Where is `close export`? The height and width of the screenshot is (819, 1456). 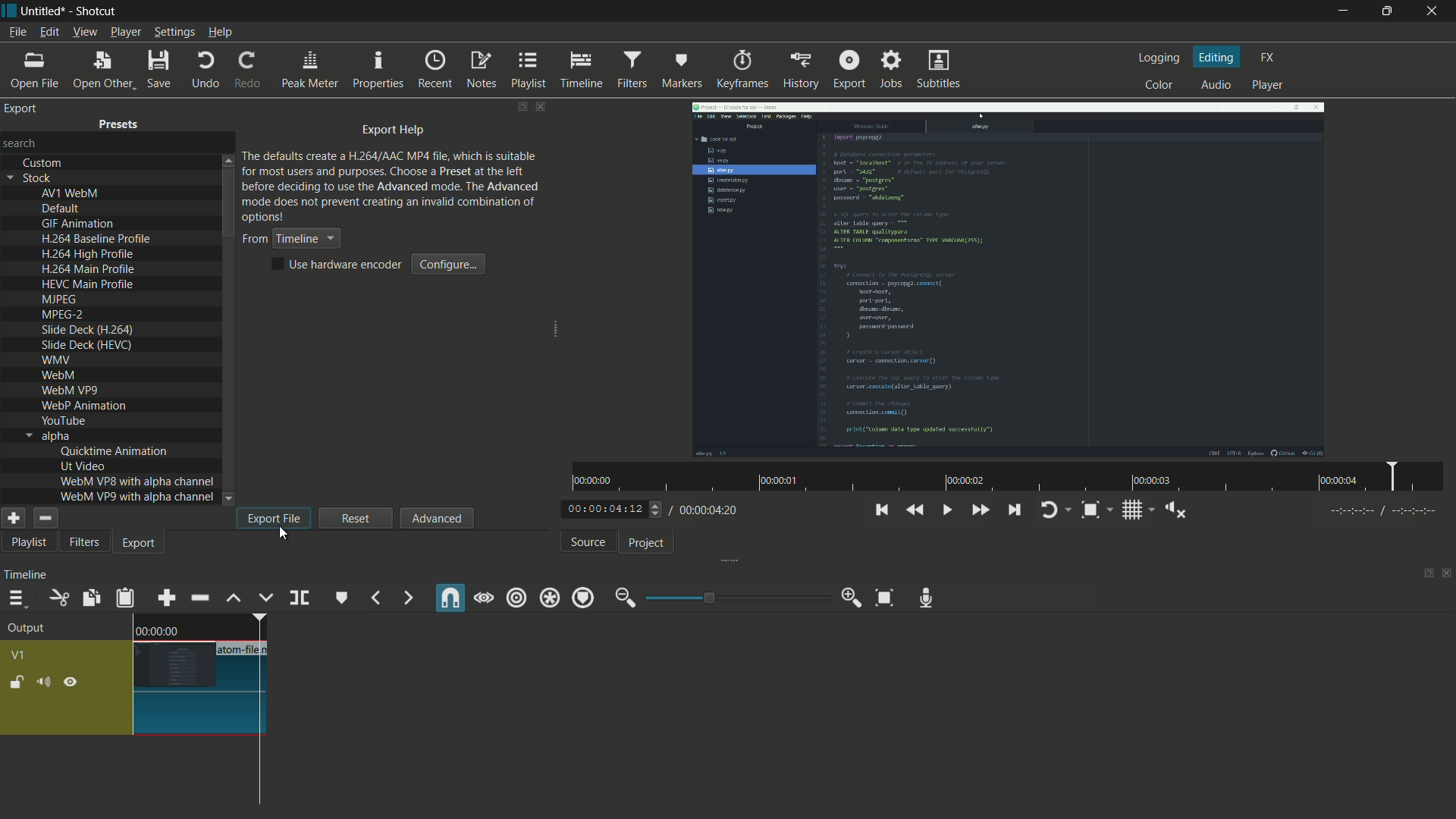
close export is located at coordinates (541, 107).